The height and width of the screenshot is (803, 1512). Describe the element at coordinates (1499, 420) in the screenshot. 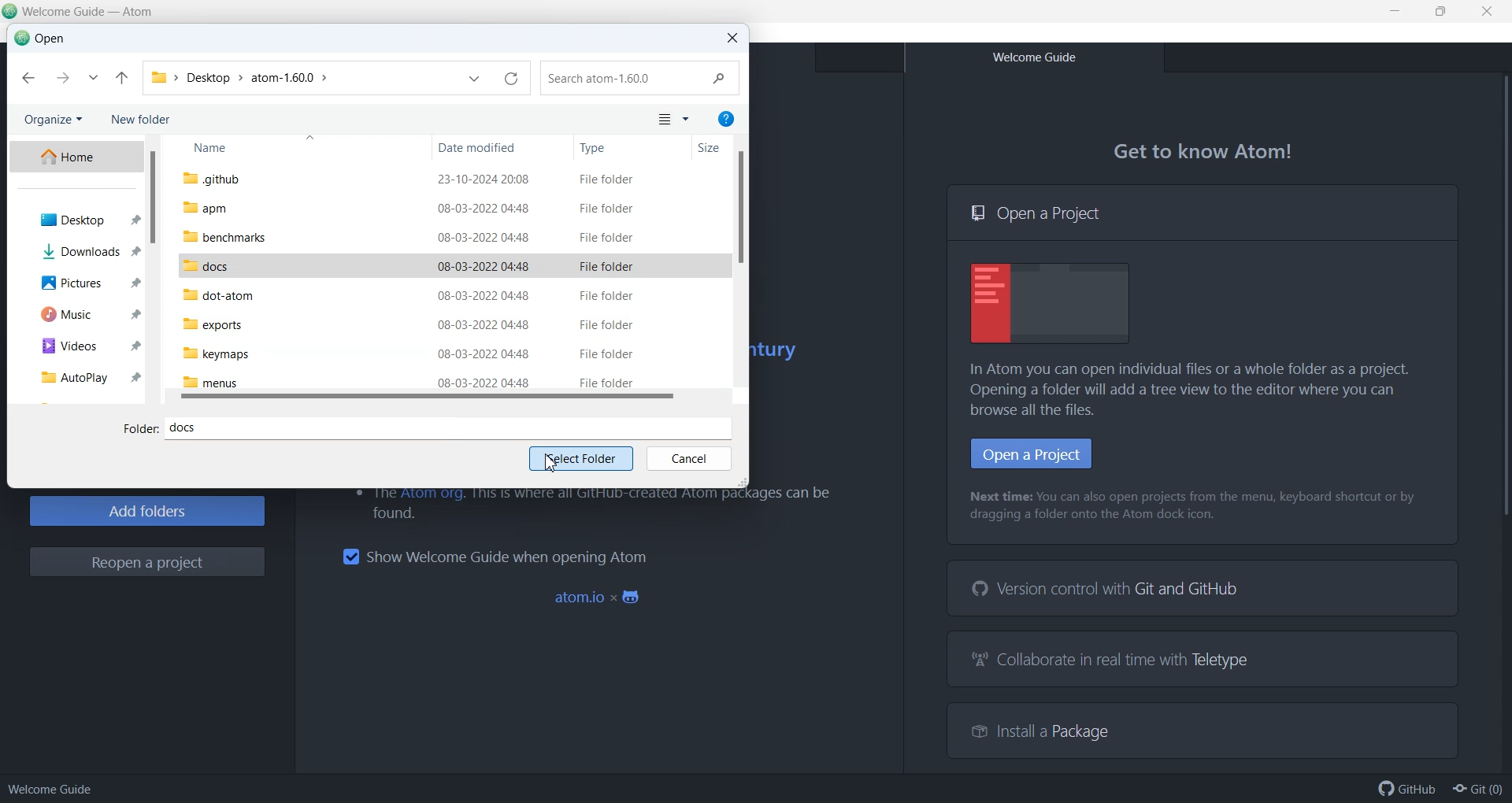

I see `Vertical Scrollbar` at that location.